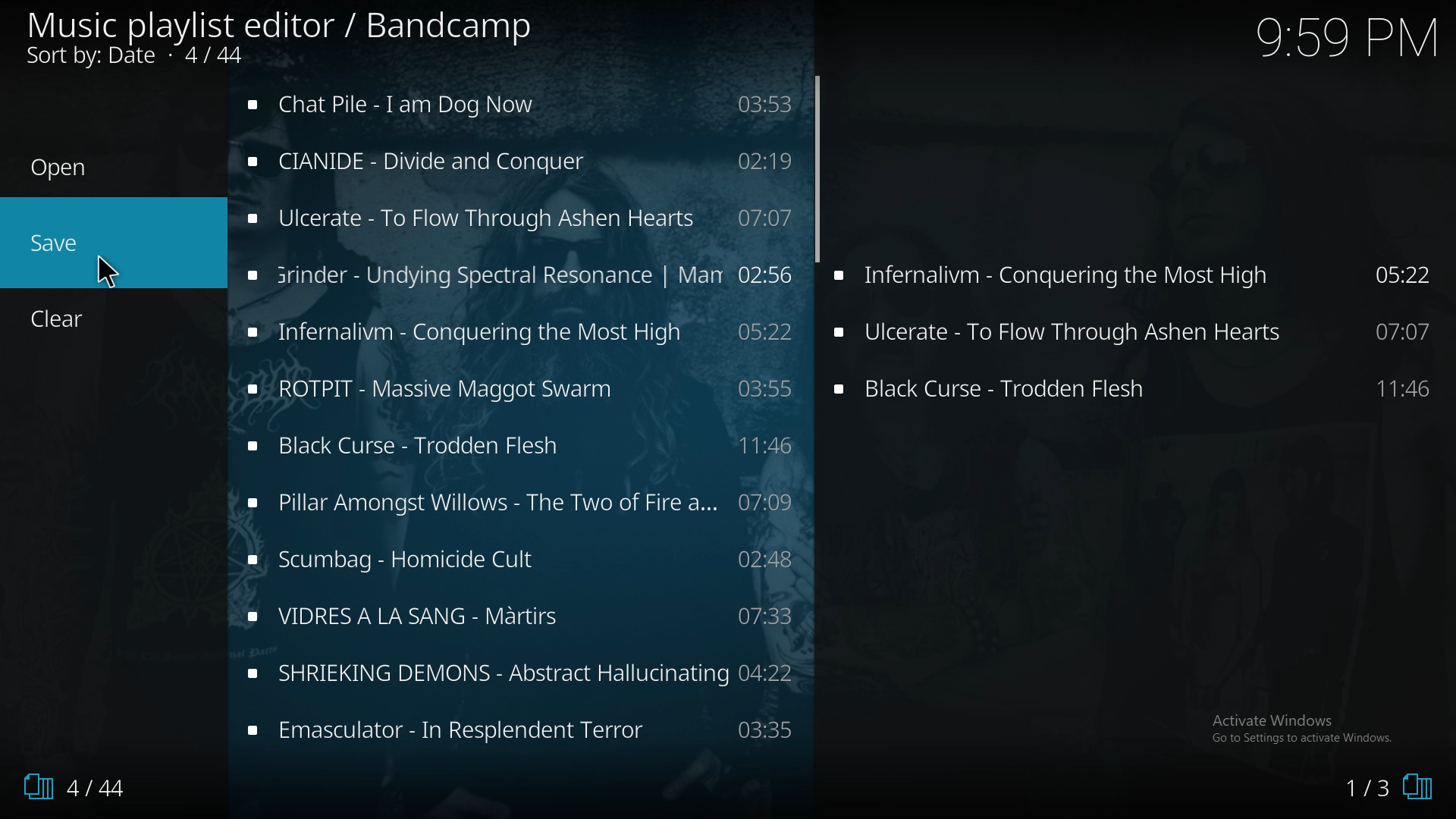 The image size is (1456, 819). I want to click on music, so click(521, 447).